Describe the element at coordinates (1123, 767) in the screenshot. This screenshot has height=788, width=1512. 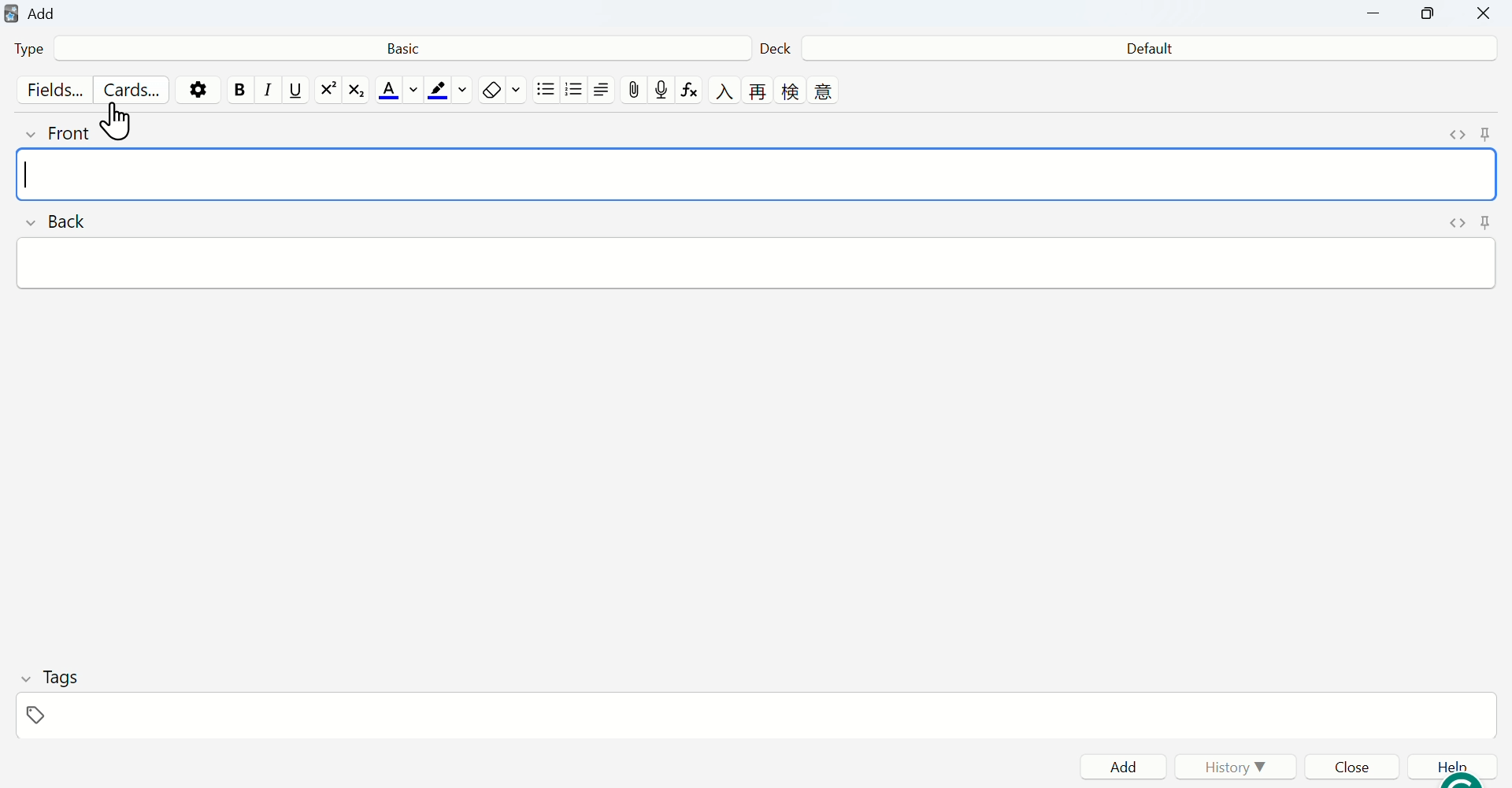
I see `Add` at that location.